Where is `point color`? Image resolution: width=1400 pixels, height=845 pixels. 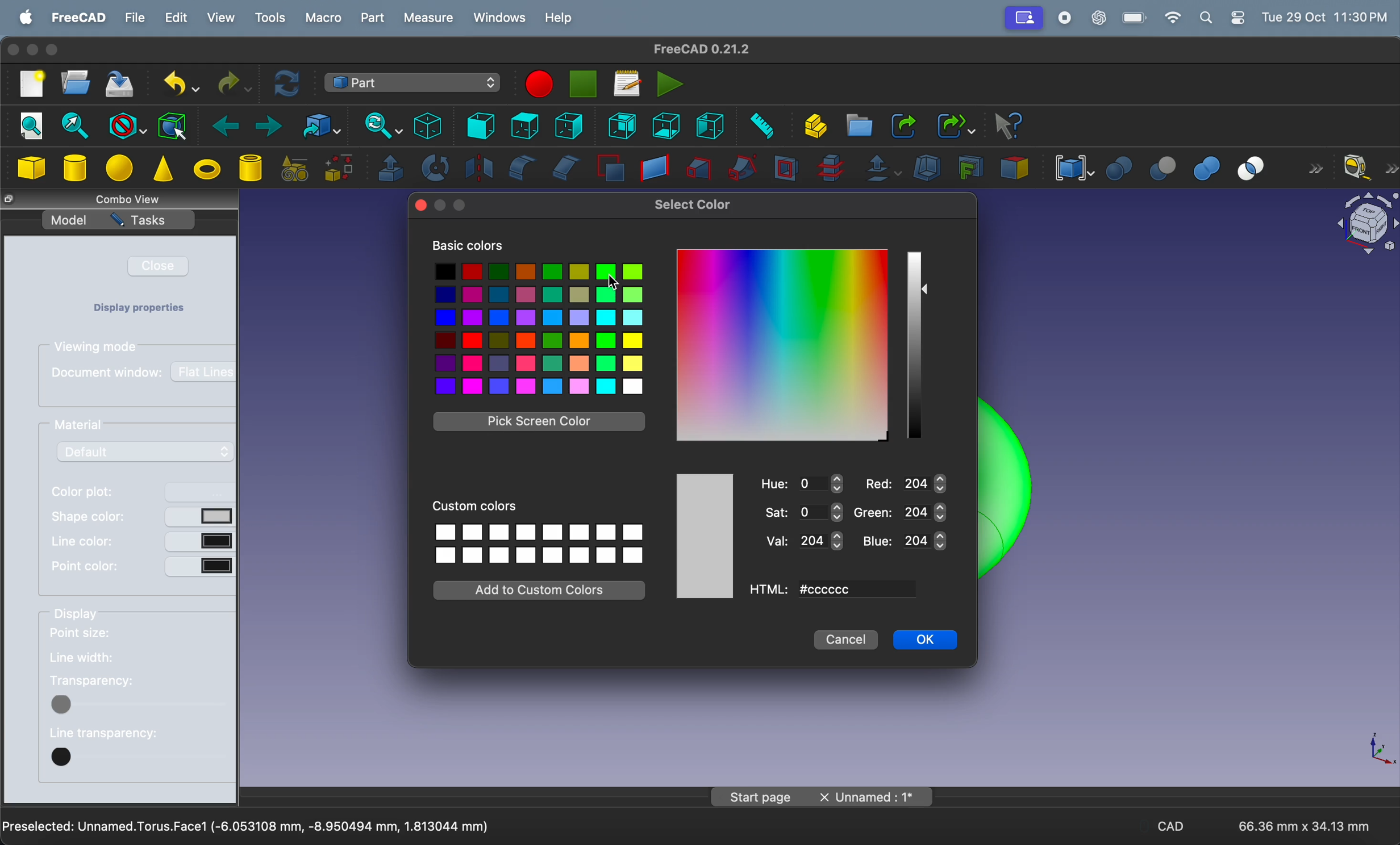
point color is located at coordinates (84, 566).